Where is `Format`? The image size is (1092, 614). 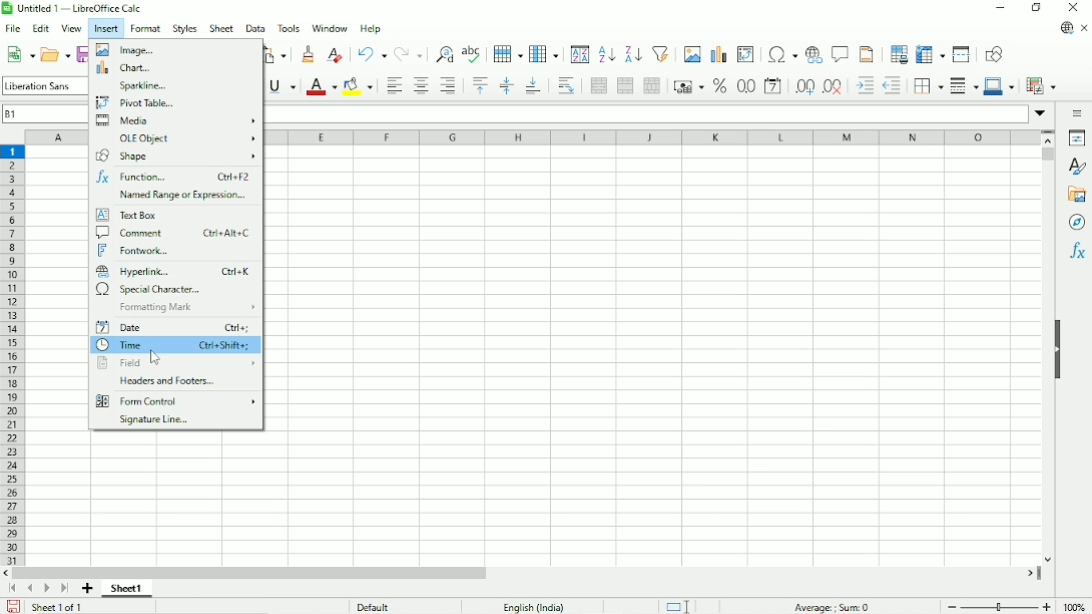
Format is located at coordinates (146, 28).